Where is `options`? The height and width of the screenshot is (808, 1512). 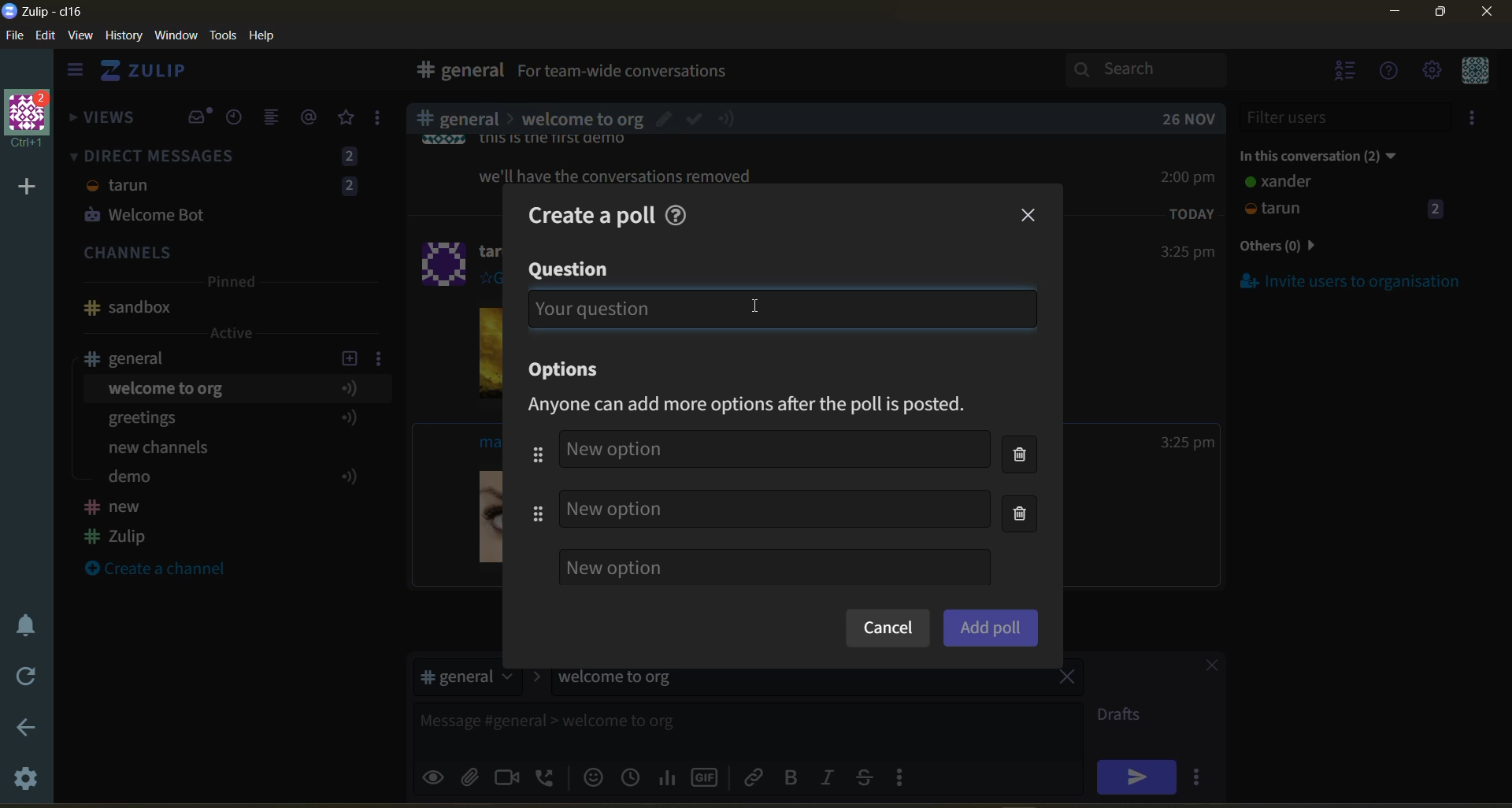 options is located at coordinates (570, 371).